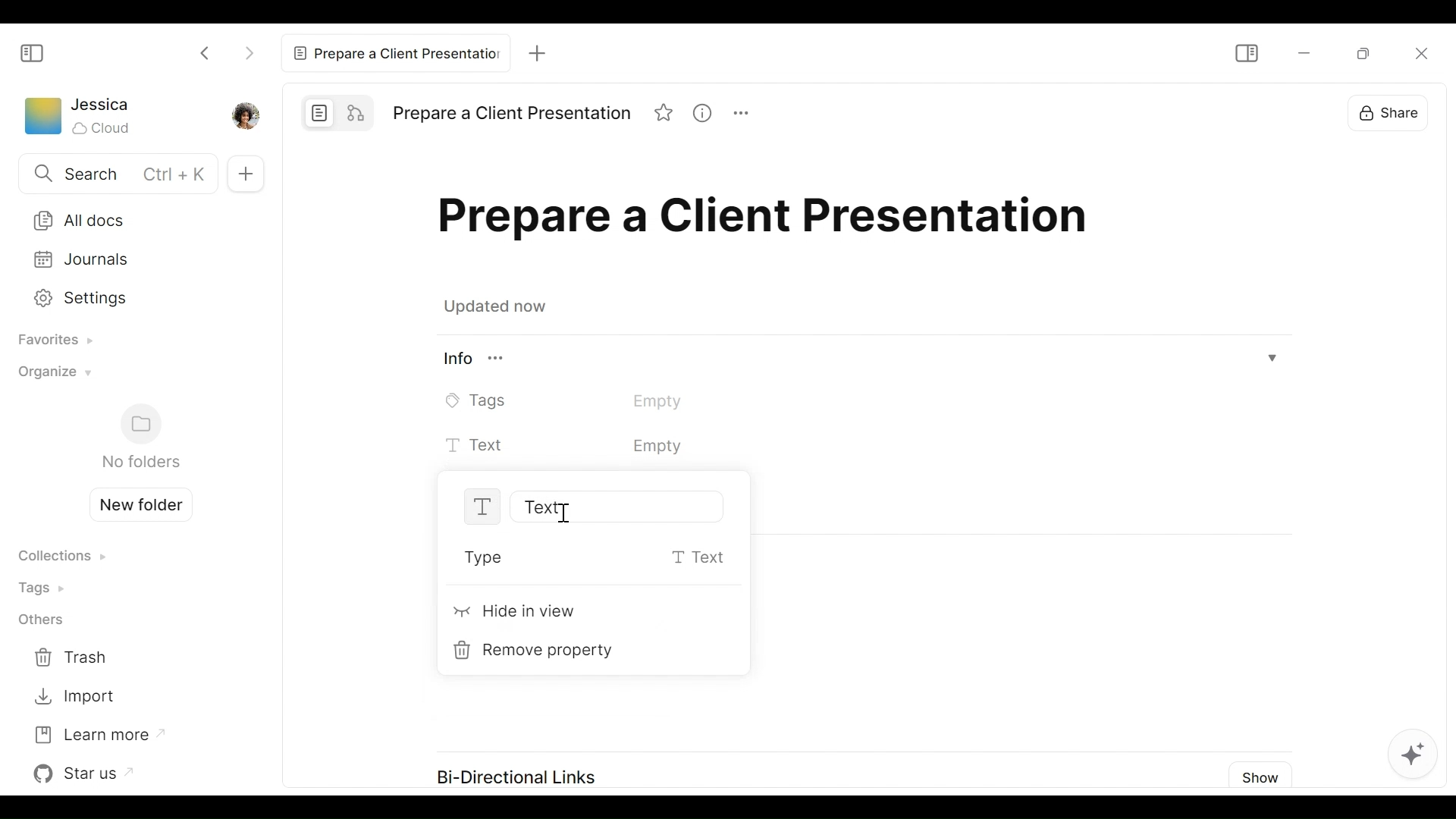  I want to click on Star us, so click(87, 773).